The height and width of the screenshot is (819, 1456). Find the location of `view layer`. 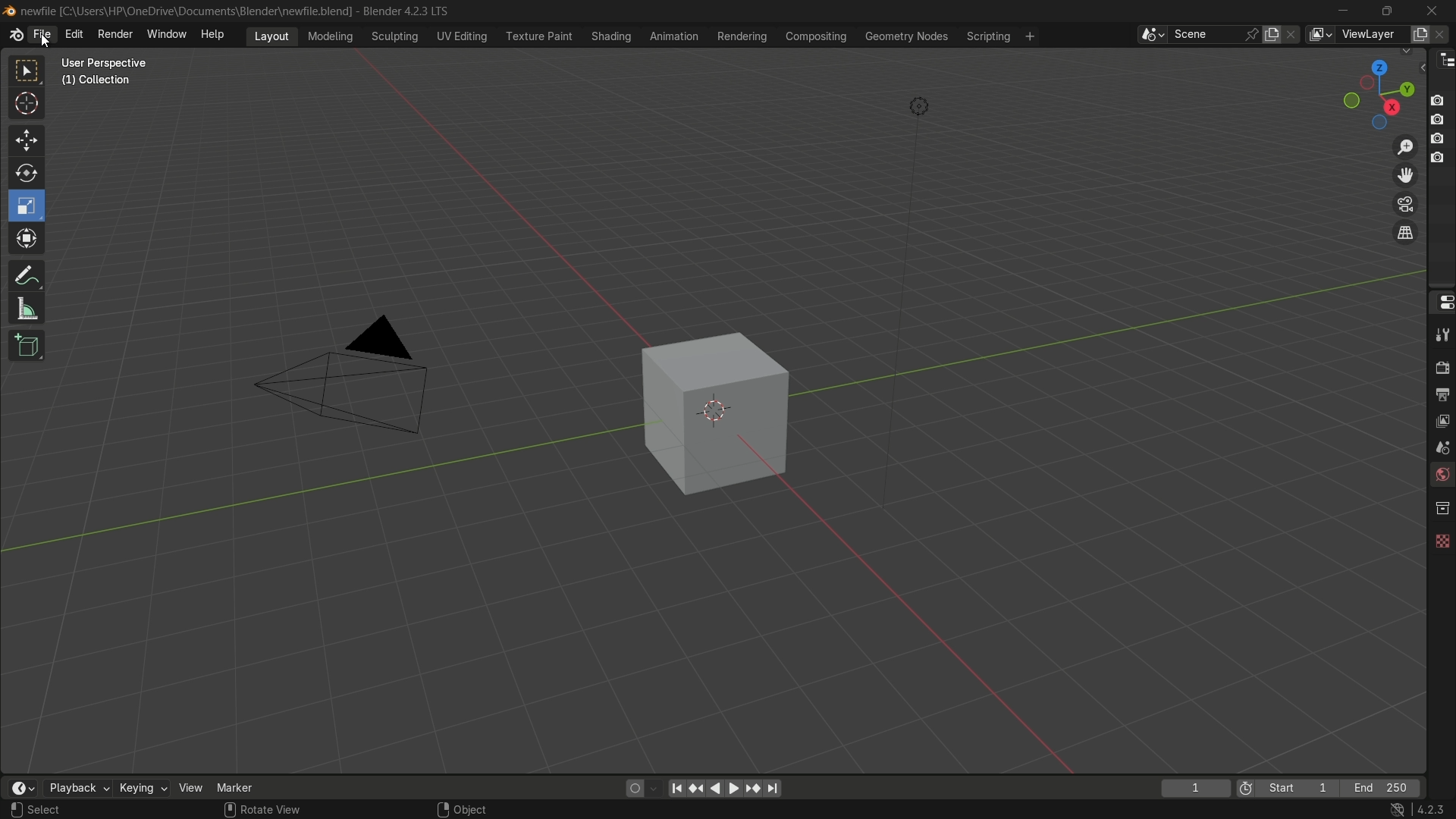

view layer is located at coordinates (1441, 419).